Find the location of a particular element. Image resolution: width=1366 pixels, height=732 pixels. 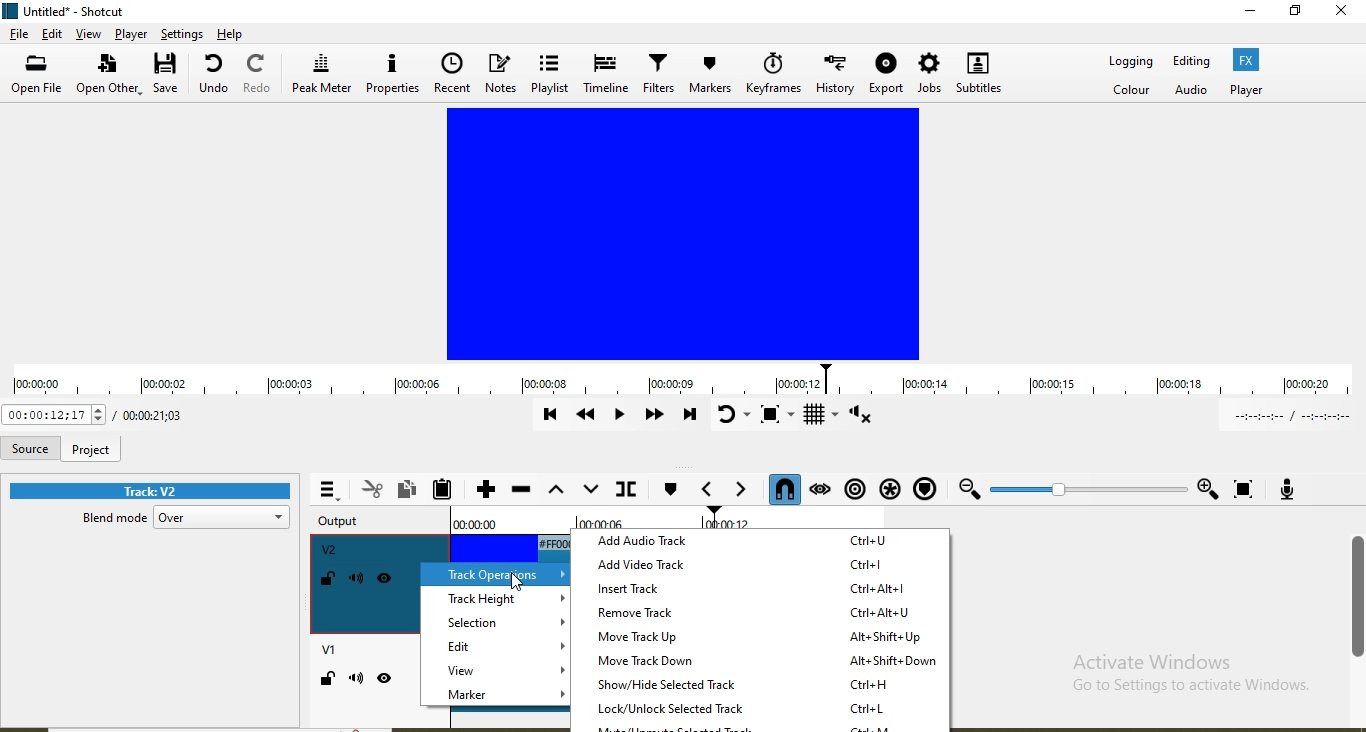

help is located at coordinates (232, 33).